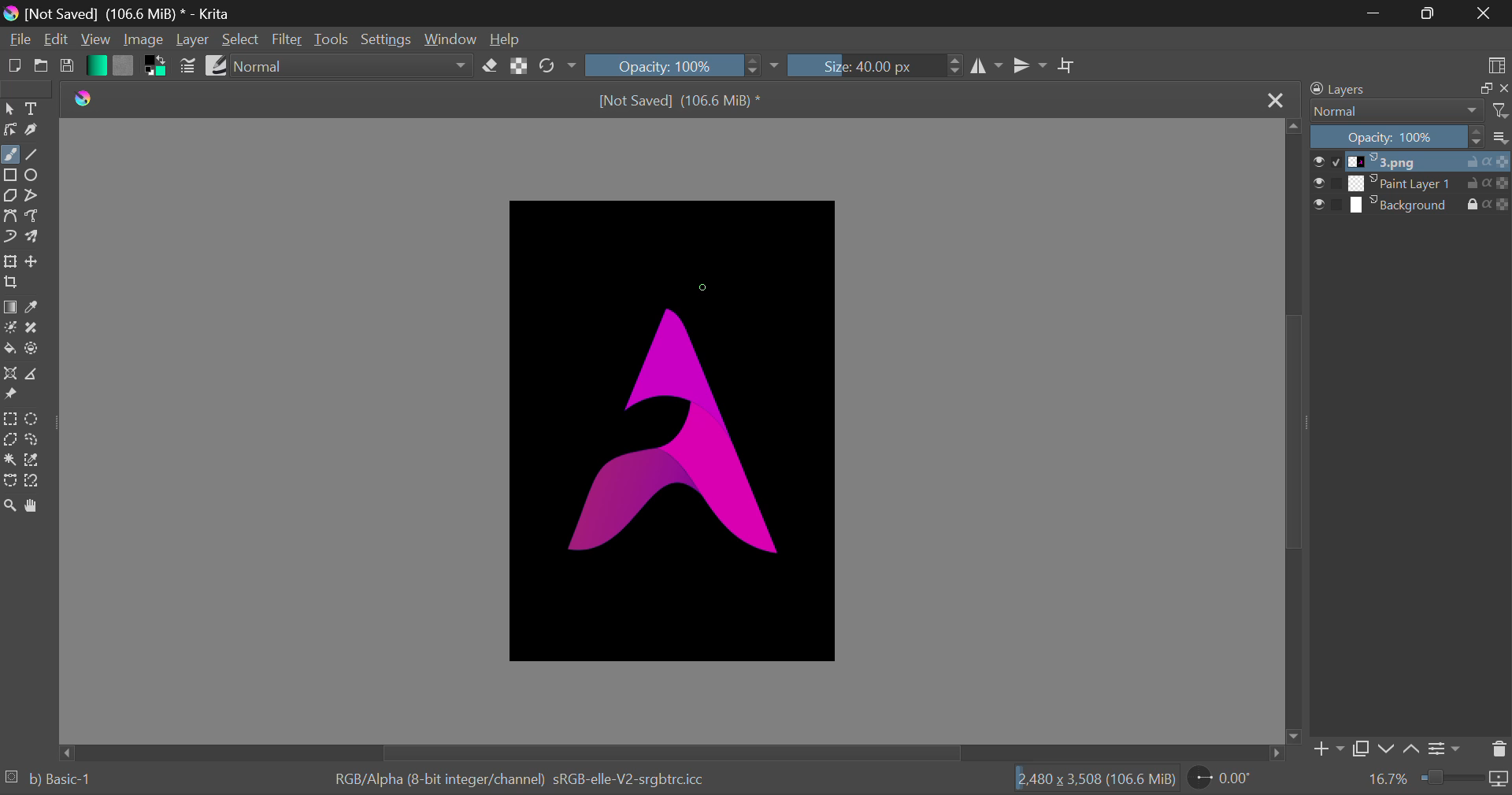 The width and height of the screenshot is (1512, 795). Describe the element at coordinates (36, 217) in the screenshot. I see `Freehand Path Tool` at that location.